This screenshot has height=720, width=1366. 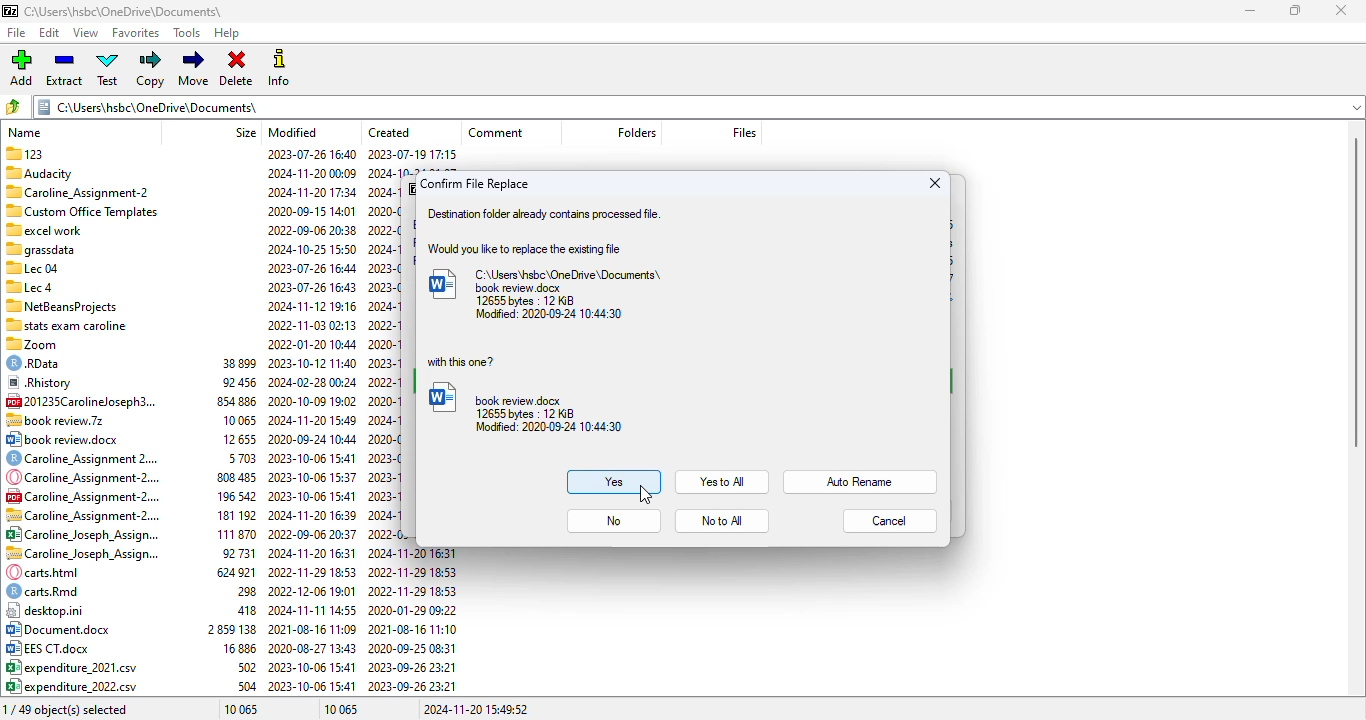 What do you see at coordinates (67, 325) in the screenshot?
I see `“stats exam caroline` at bounding box center [67, 325].